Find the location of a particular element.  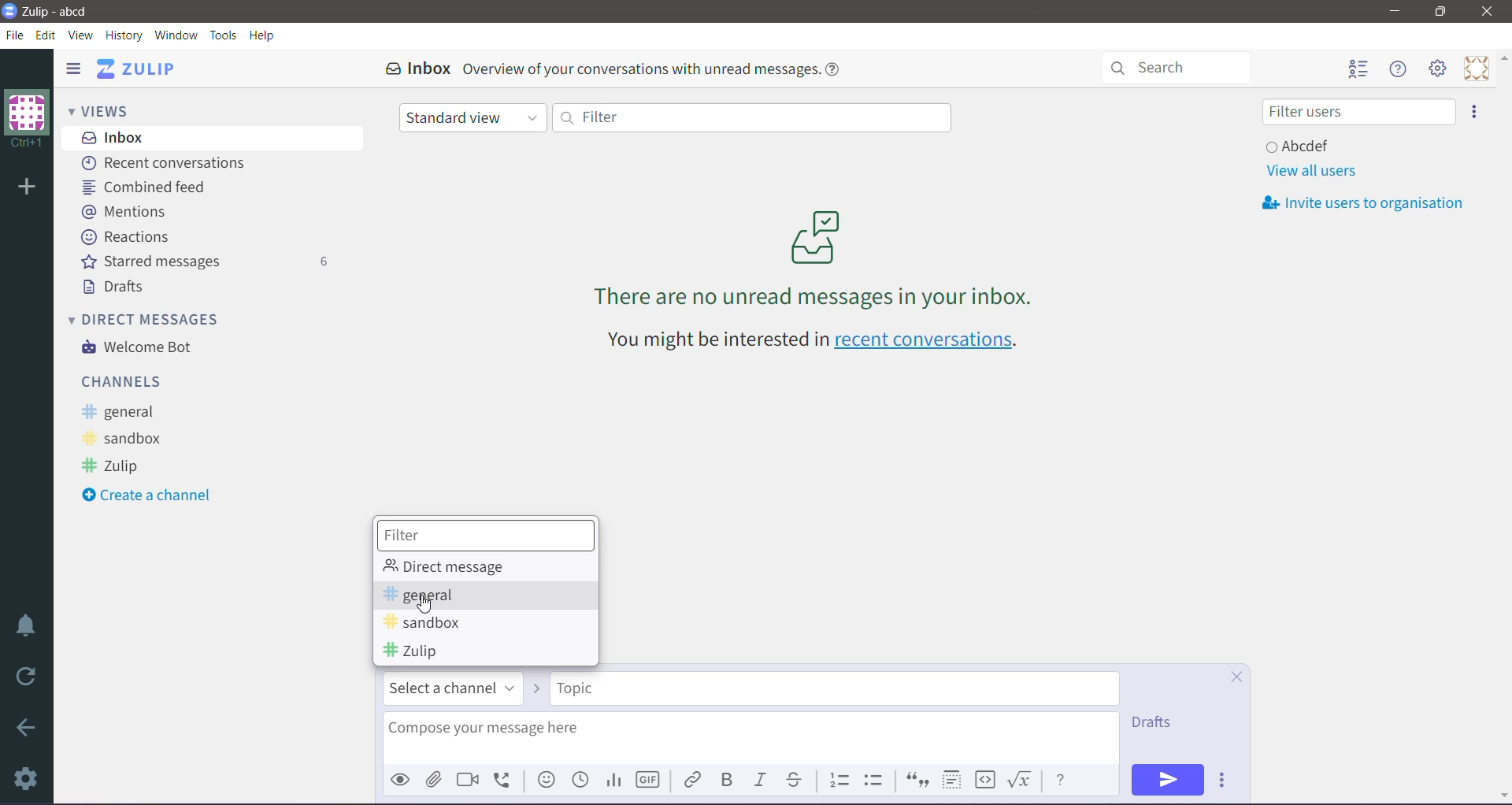

Spoiler is located at coordinates (951, 781).